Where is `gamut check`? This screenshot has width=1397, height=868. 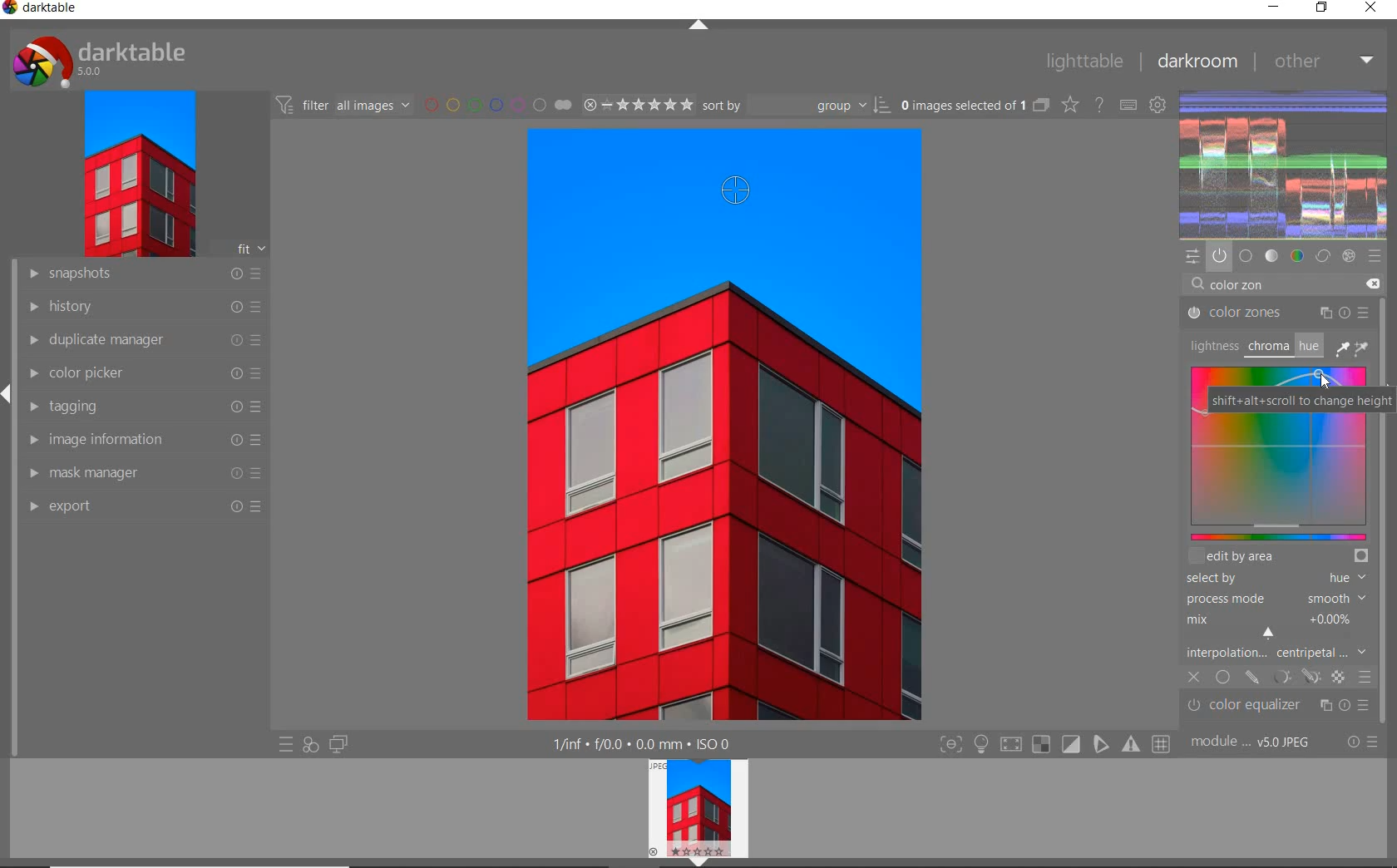
gamut check is located at coordinates (1039, 744).